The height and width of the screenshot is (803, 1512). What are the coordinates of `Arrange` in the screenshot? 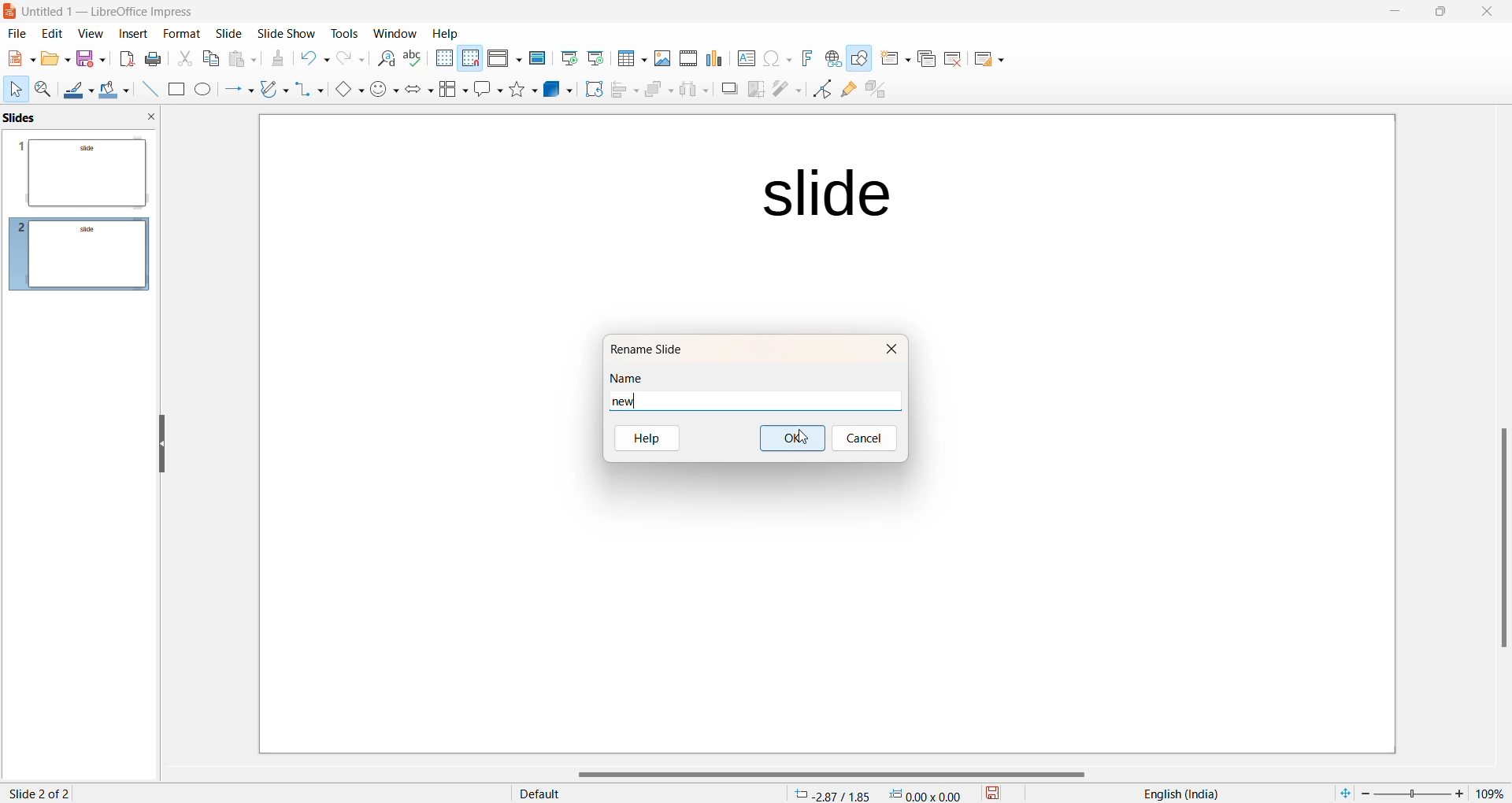 It's located at (655, 92).